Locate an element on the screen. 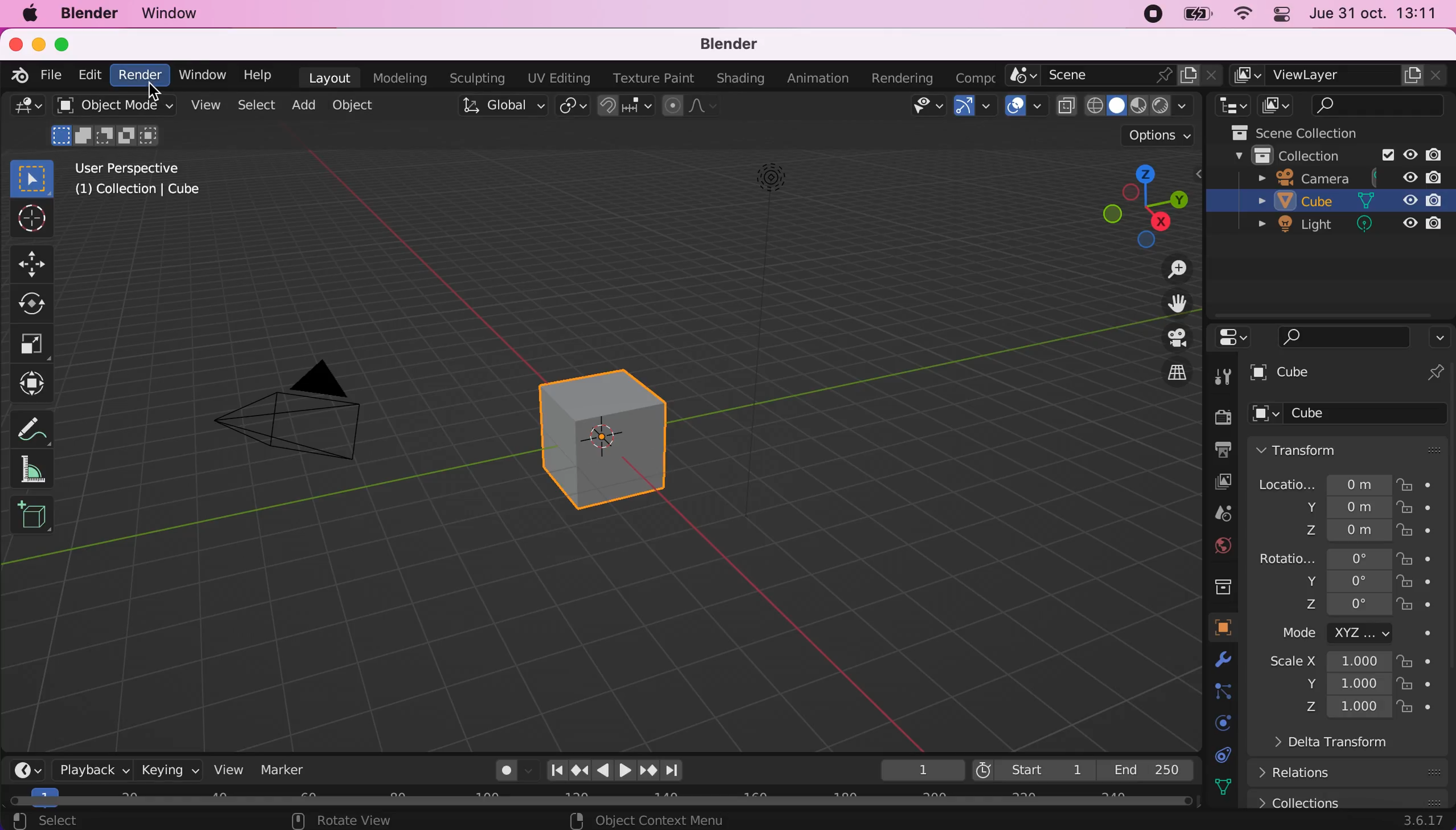 The height and width of the screenshot is (830, 1456). play animation is located at coordinates (625, 770).